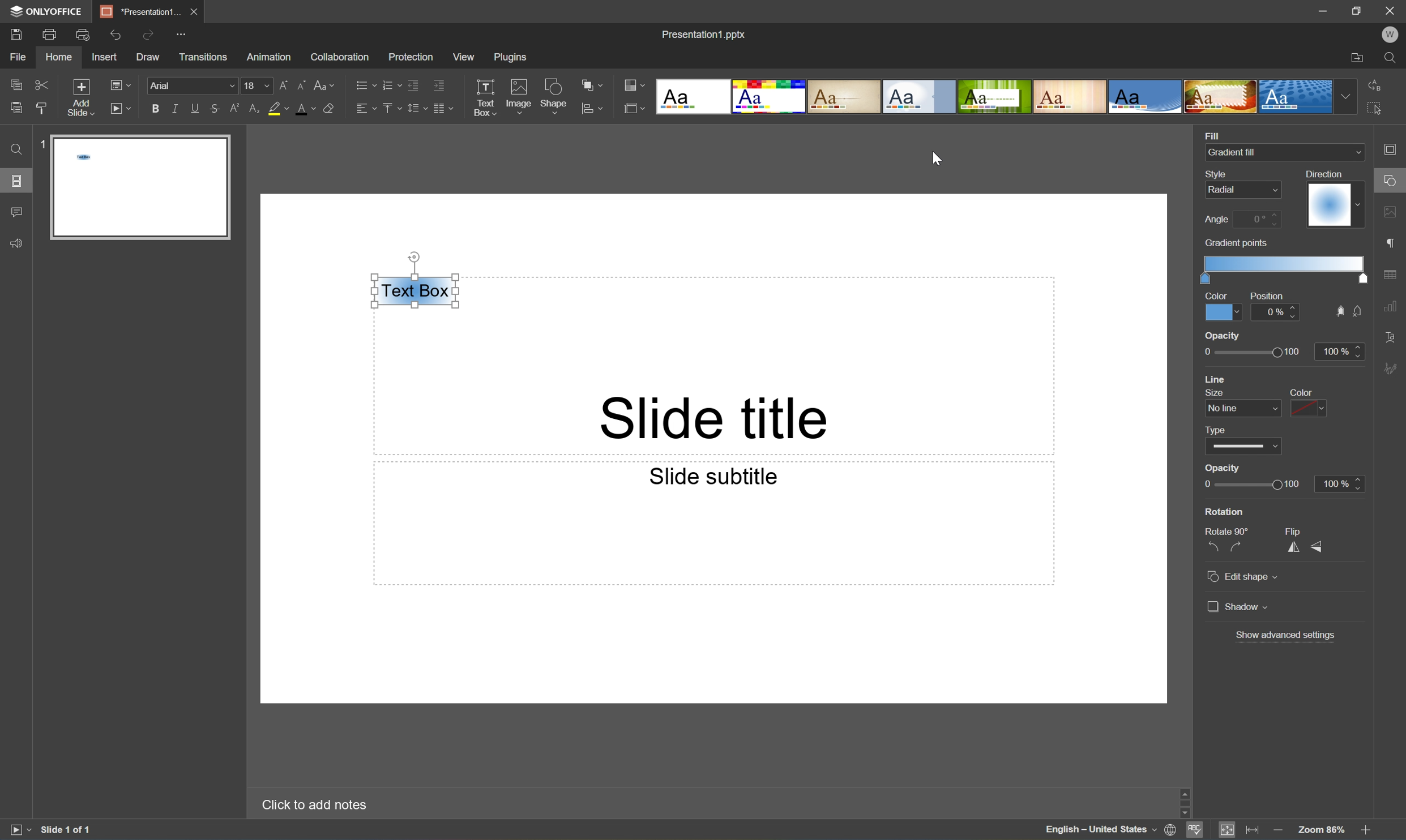  I want to click on Scroll Bar, so click(1368, 800).